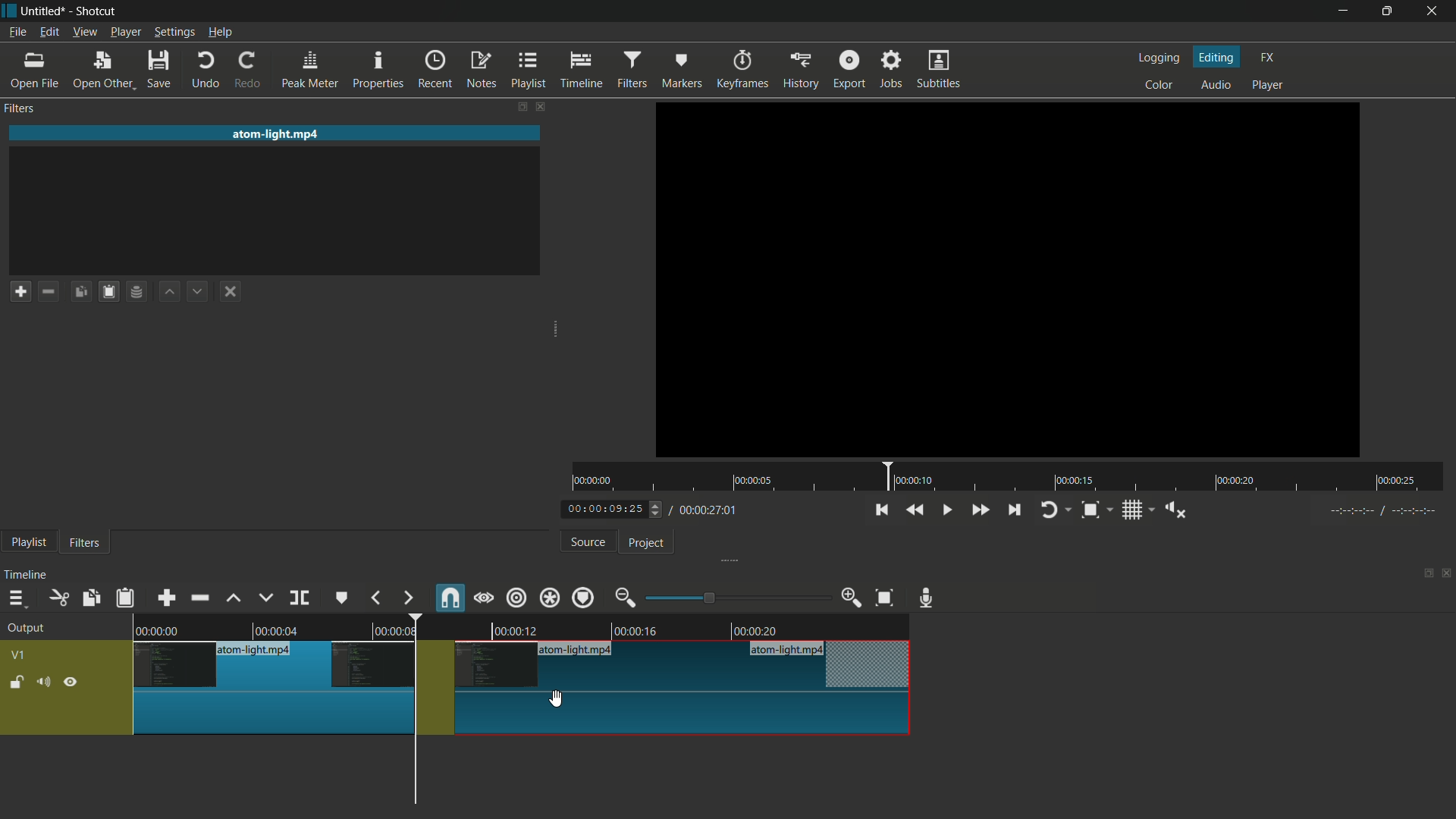  I want to click on move filter down, so click(202, 290).